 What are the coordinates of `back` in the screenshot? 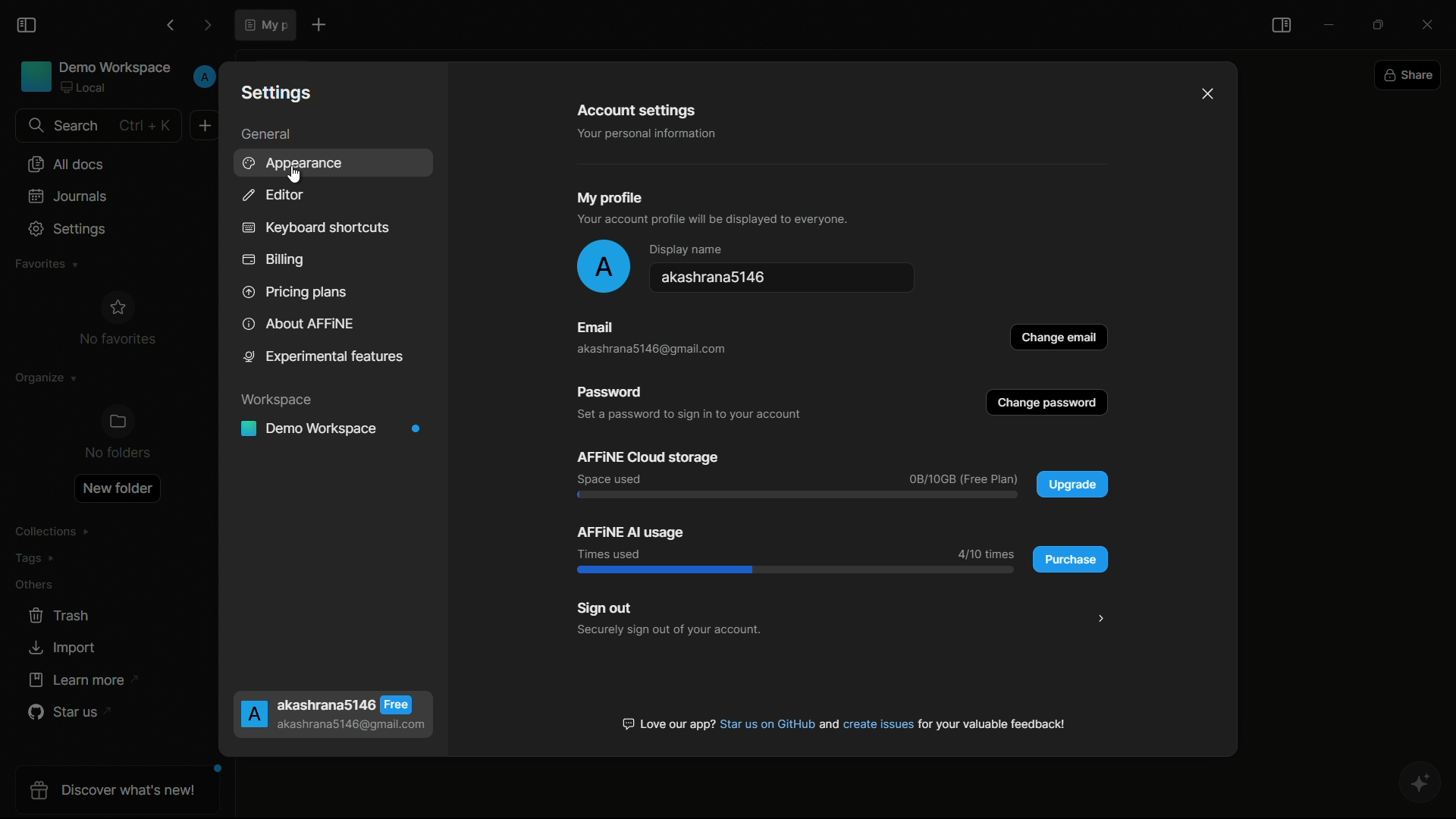 It's located at (170, 26).